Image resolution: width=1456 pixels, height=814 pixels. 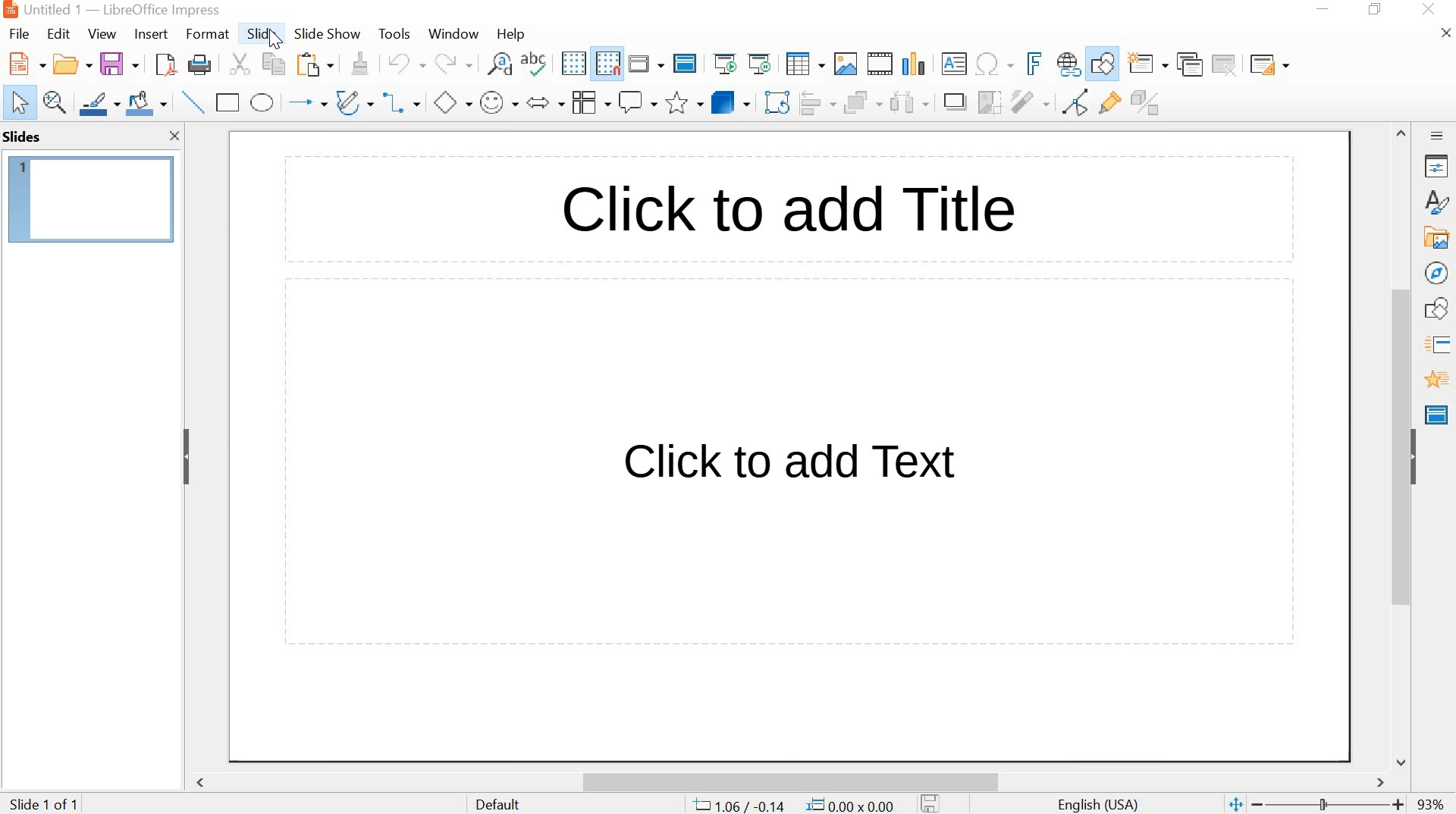 I want to click on Fill color, so click(x=146, y=103).